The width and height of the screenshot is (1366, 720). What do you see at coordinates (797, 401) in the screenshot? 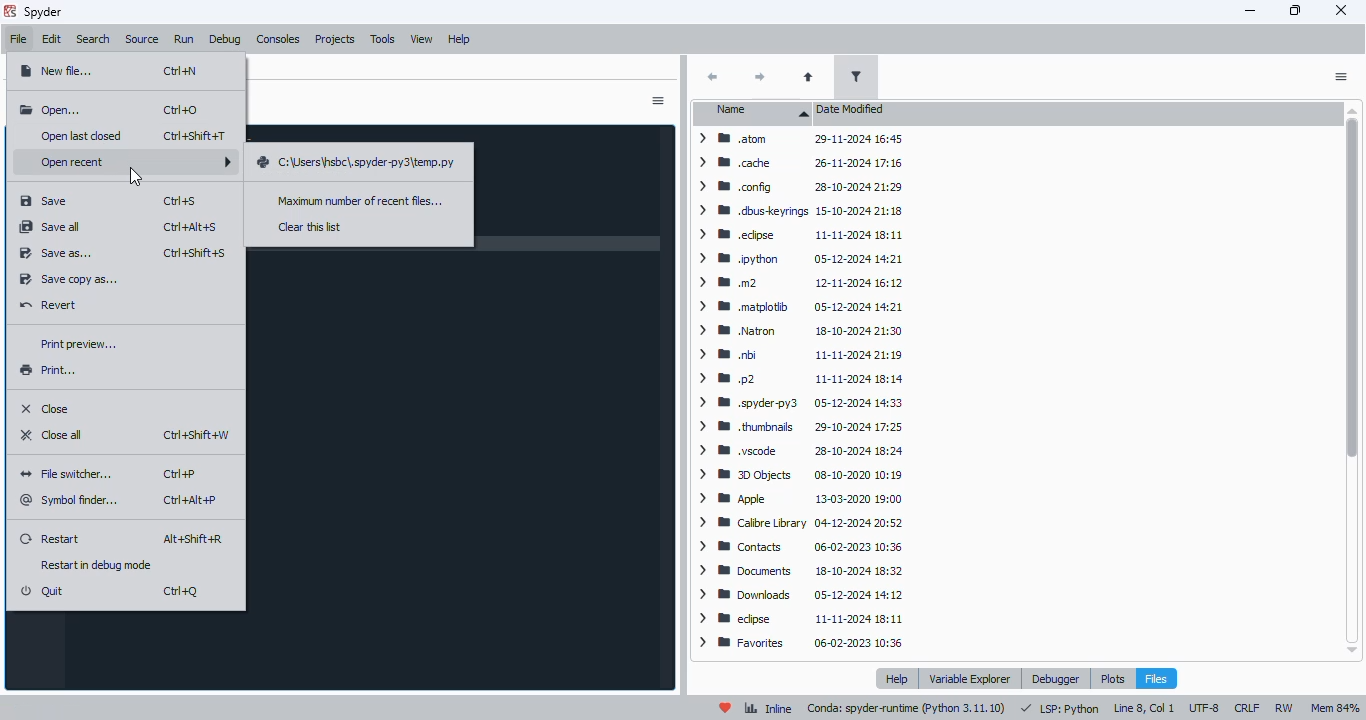
I see `> B .spyderpy3 05-12-2024 14:33` at bounding box center [797, 401].